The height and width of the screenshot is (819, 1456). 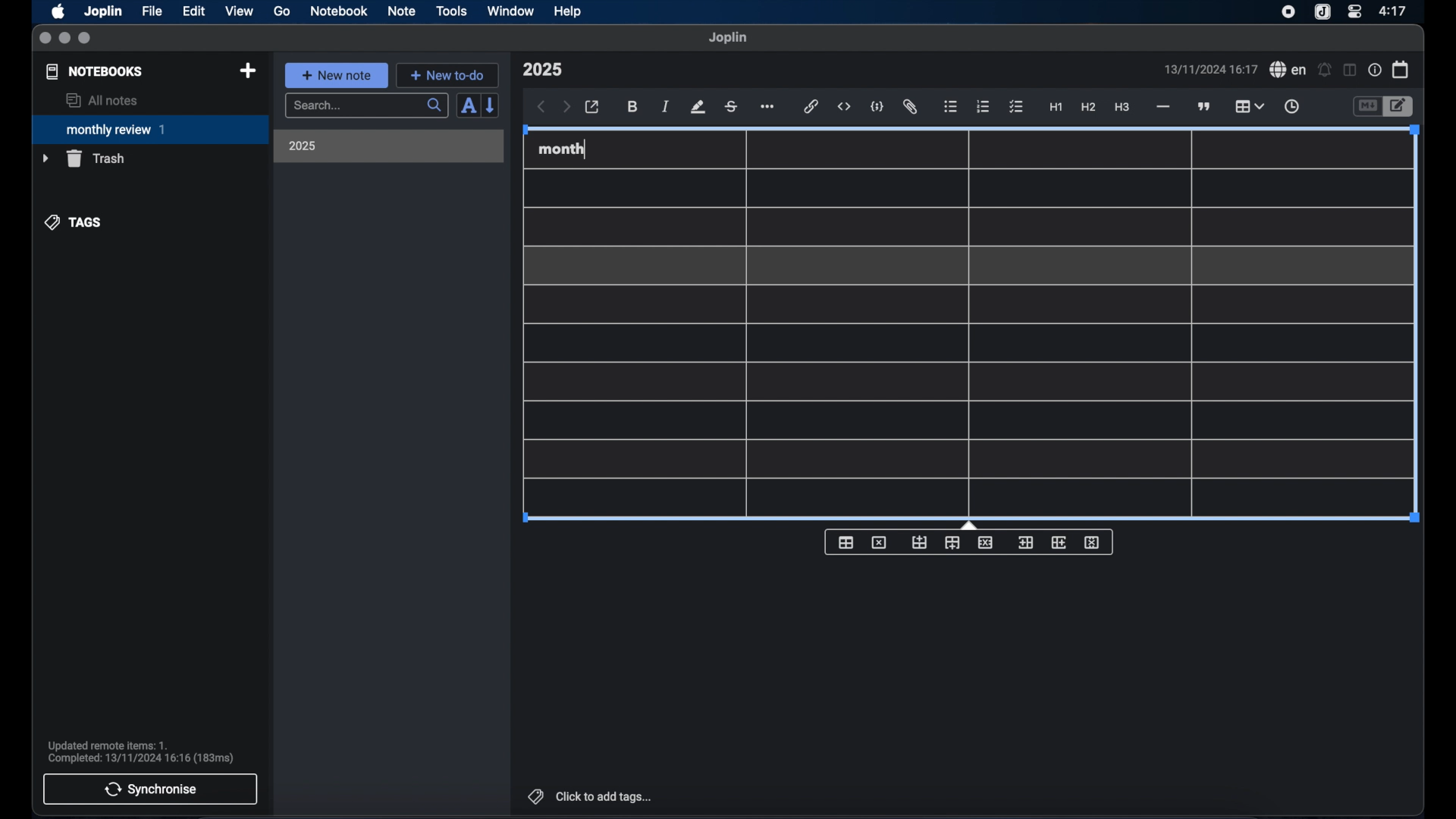 What do you see at coordinates (1025, 543) in the screenshot?
I see `insert column before` at bounding box center [1025, 543].